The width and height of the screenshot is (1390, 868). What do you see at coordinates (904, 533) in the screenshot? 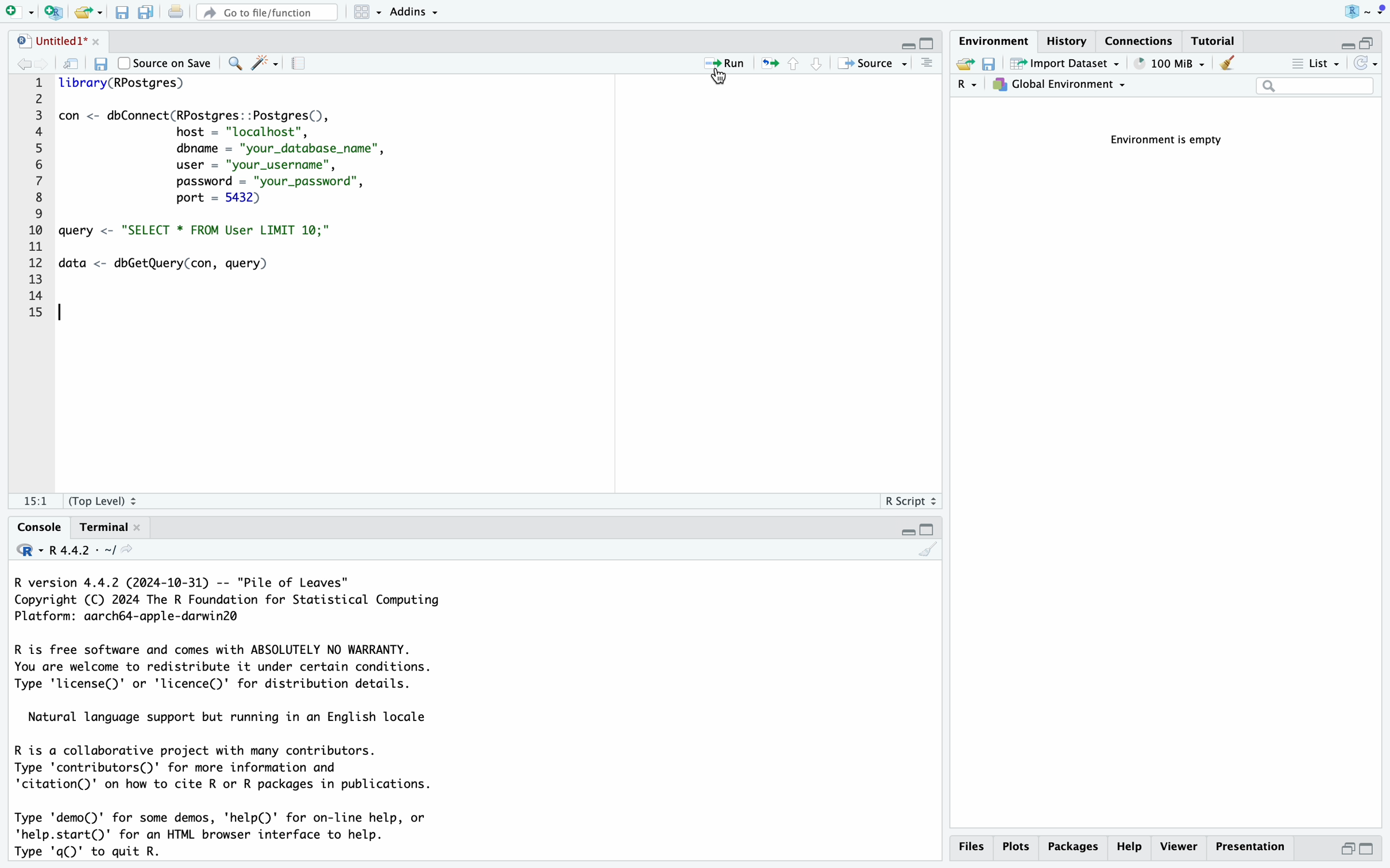
I see `minimize` at bounding box center [904, 533].